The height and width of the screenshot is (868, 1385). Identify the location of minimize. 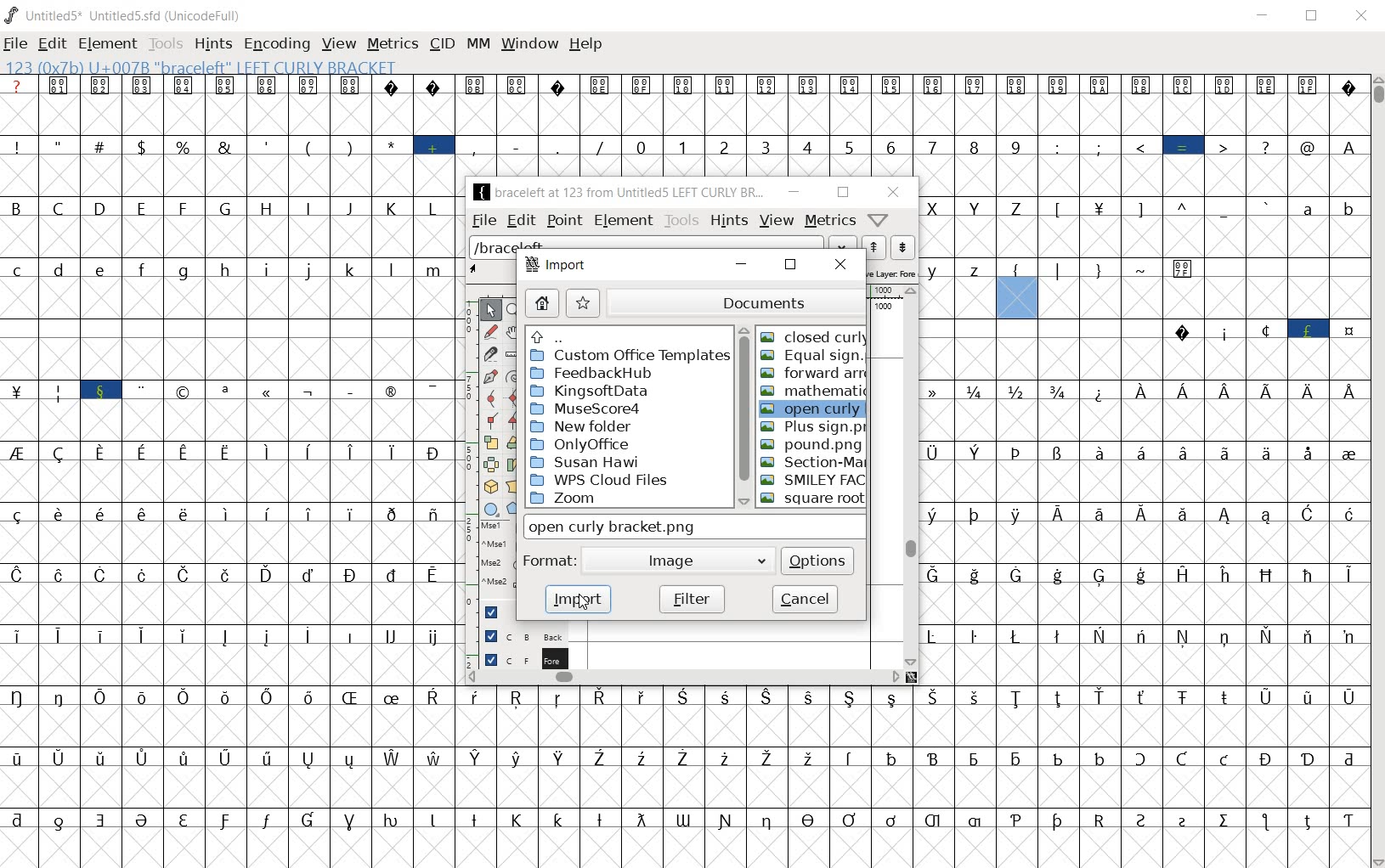
(1266, 16).